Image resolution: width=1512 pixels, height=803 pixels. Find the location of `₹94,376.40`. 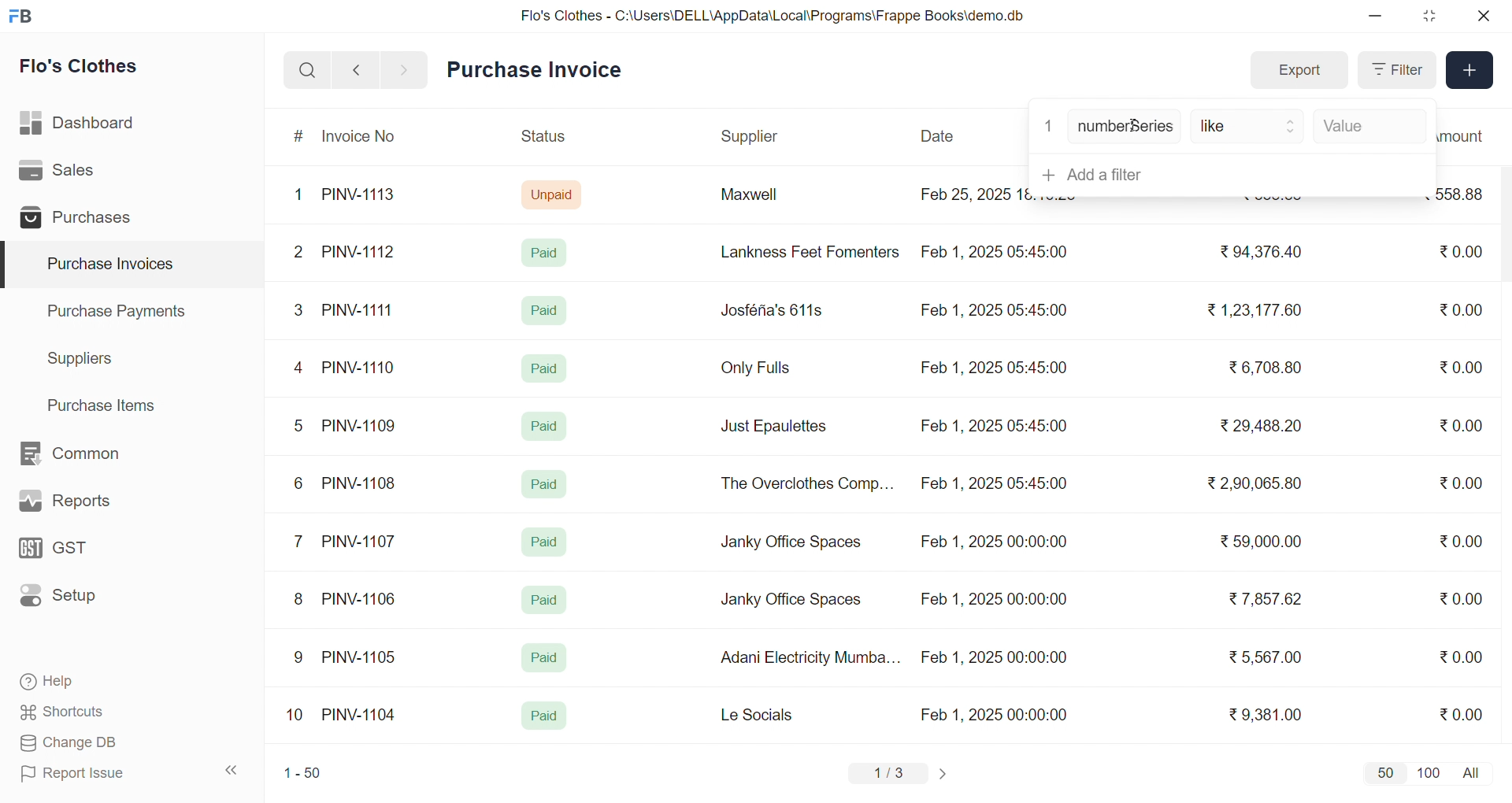

₹94,376.40 is located at coordinates (1257, 253).